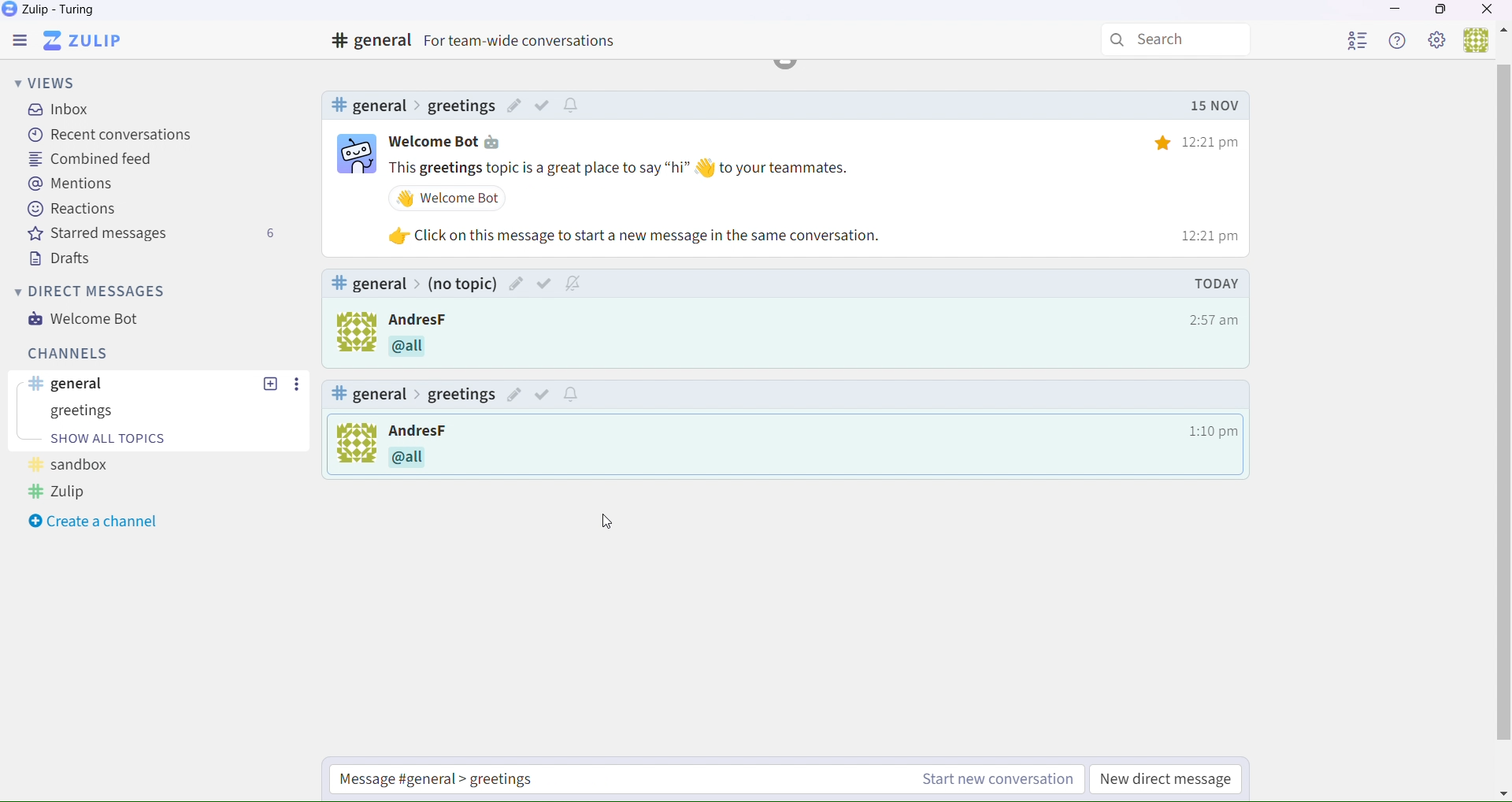  I want to click on horizontal scroll bar, so click(1503, 403).